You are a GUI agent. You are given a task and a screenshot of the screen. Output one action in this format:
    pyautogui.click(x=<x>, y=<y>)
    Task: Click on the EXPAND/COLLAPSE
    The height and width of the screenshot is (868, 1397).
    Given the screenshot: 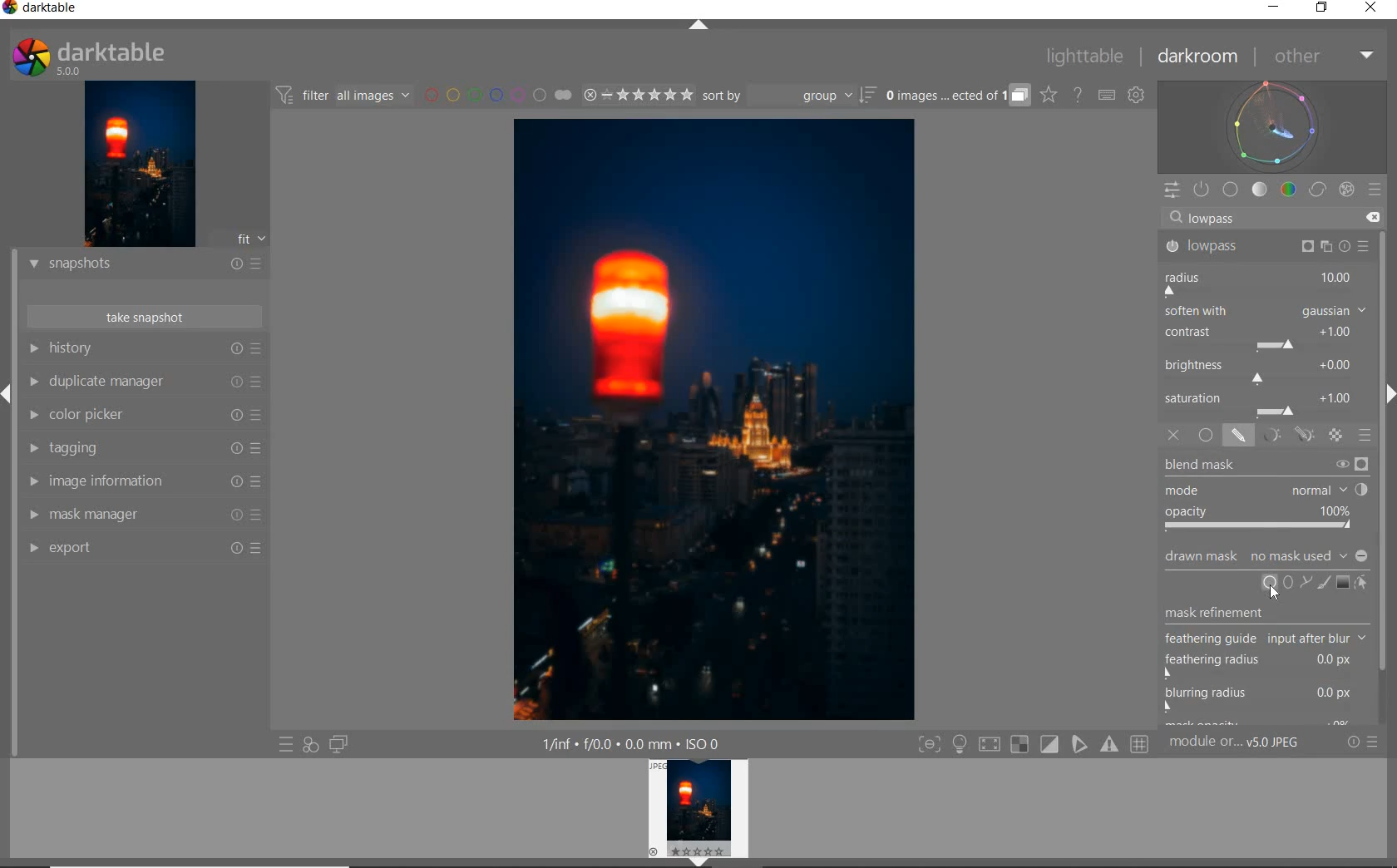 What is the action you would take?
    pyautogui.click(x=700, y=27)
    